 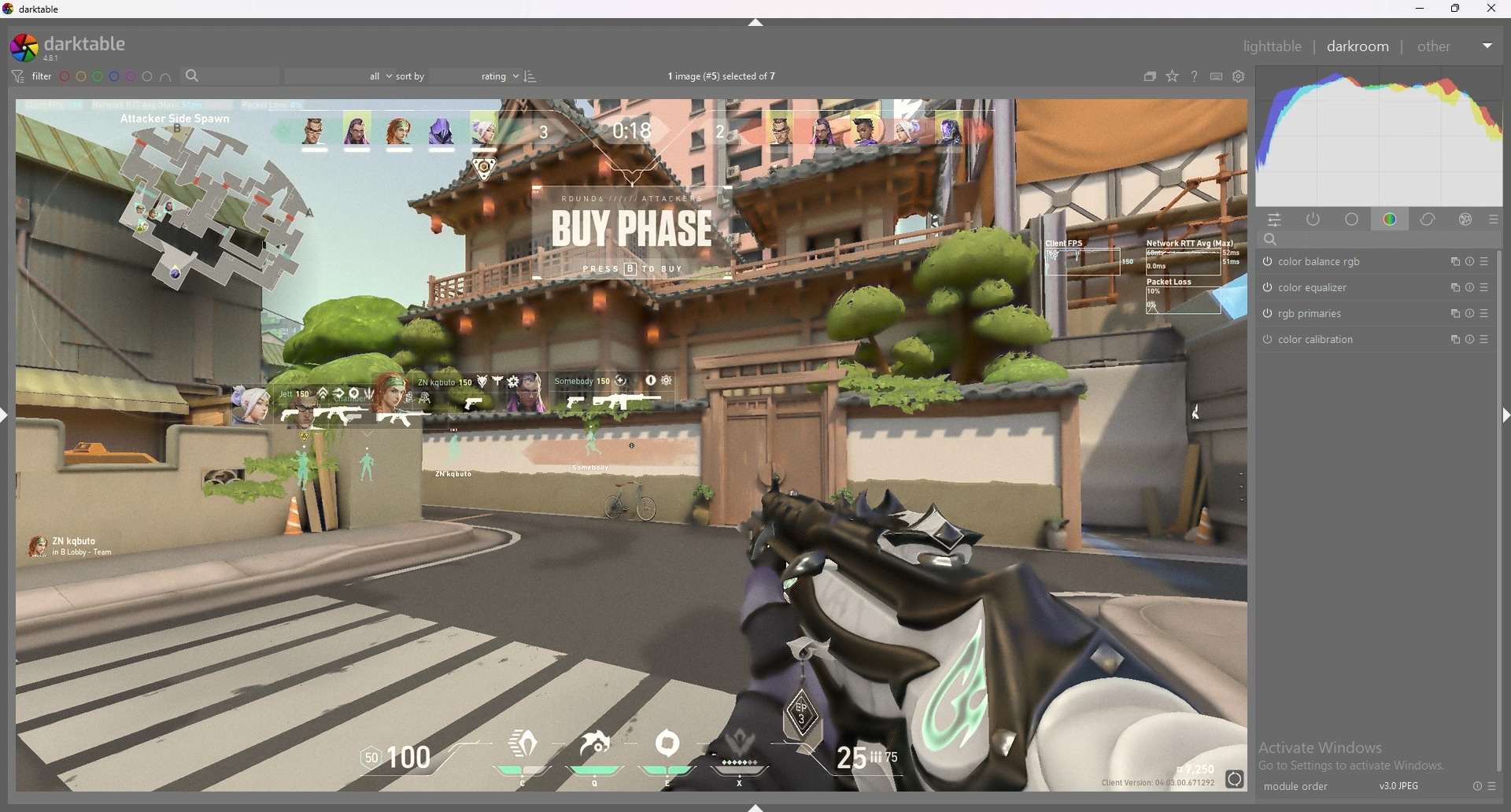 What do you see at coordinates (1497, 413) in the screenshot?
I see `hide` at bounding box center [1497, 413].